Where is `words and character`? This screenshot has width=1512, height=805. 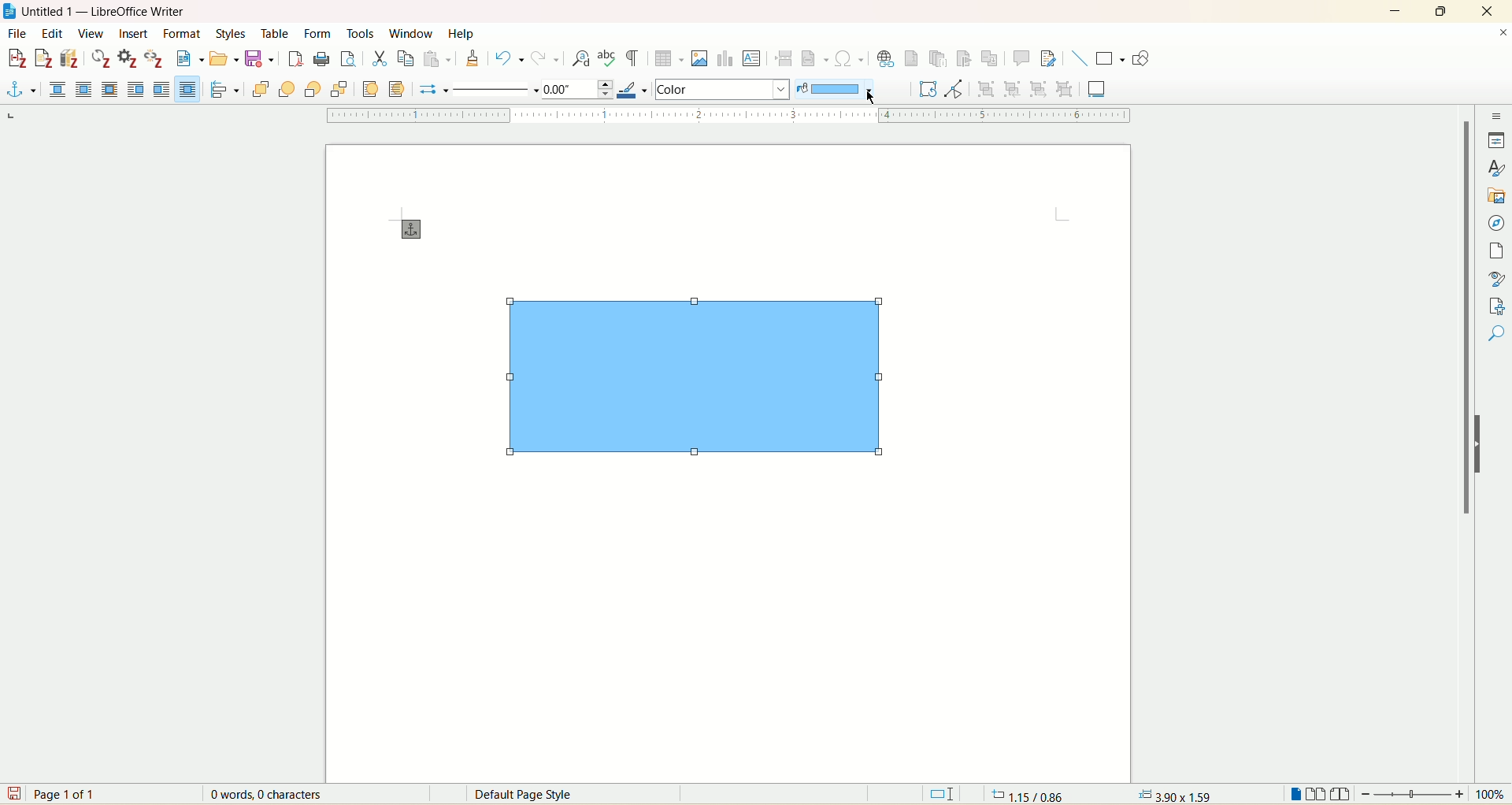 words and character is located at coordinates (263, 795).